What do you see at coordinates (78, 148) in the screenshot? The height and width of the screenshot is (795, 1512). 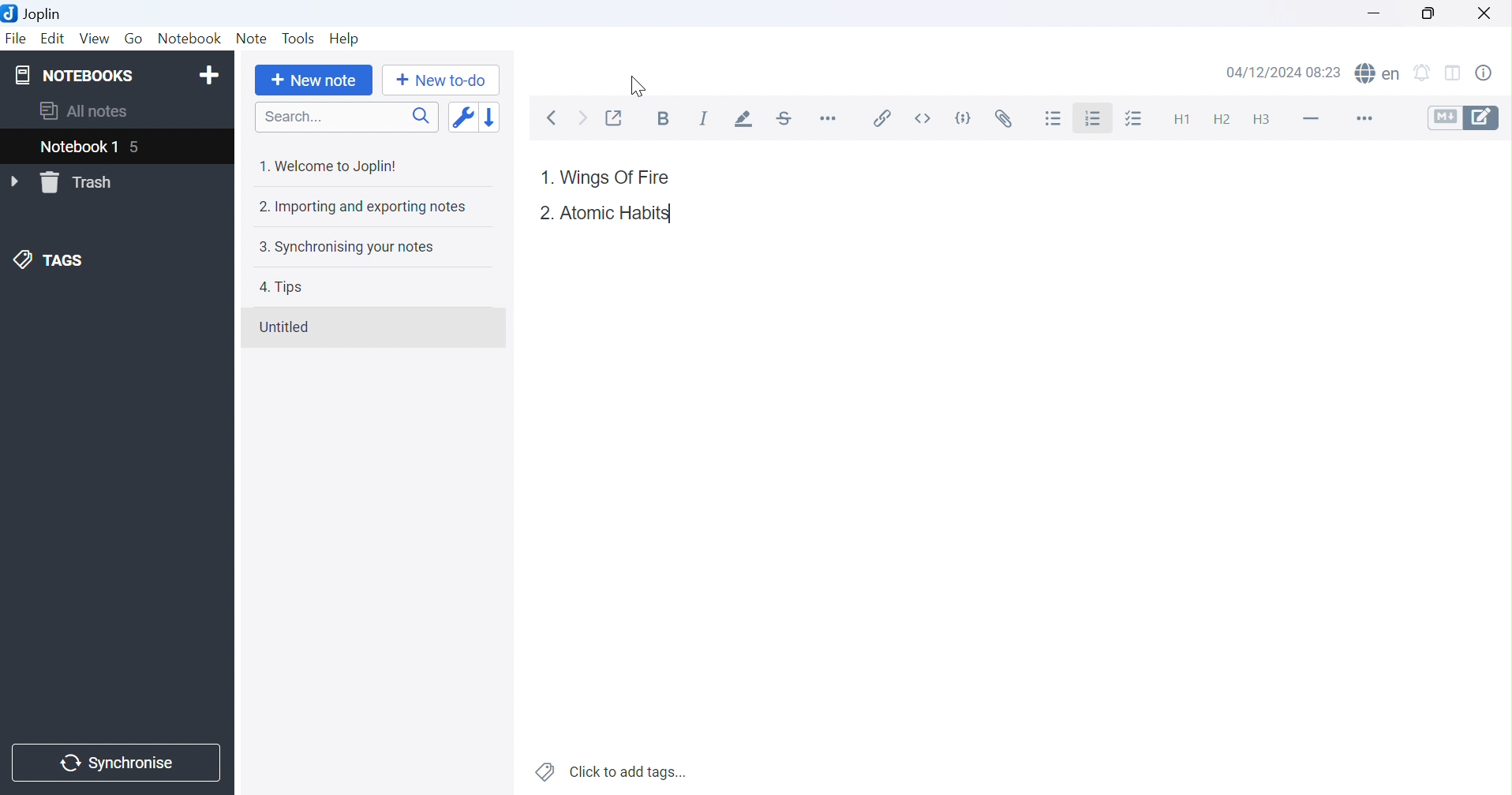 I see `Notebook 1` at bounding box center [78, 148].